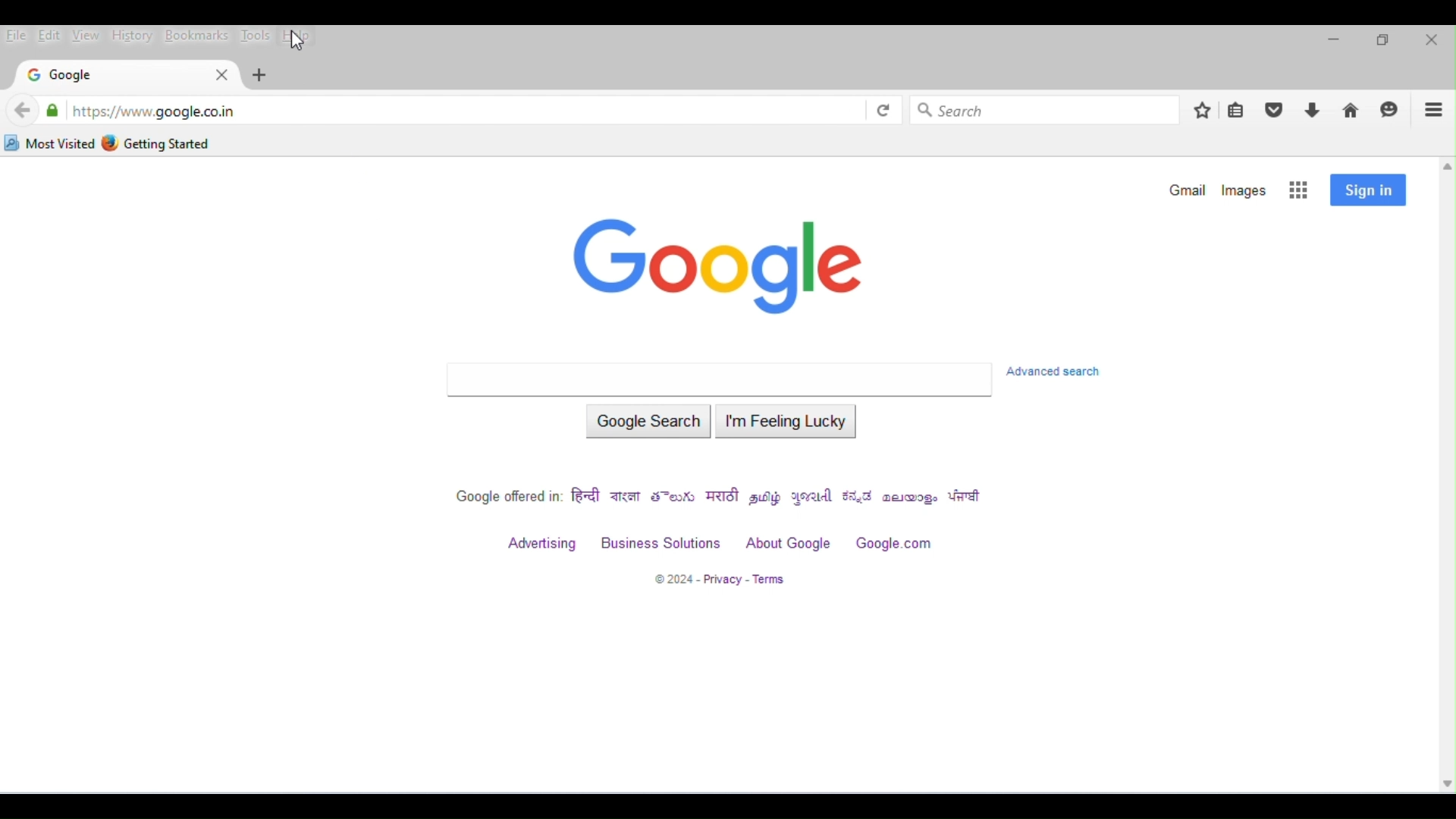  Describe the element at coordinates (544, 545) in the screenshot. I see `advertising` at that location.